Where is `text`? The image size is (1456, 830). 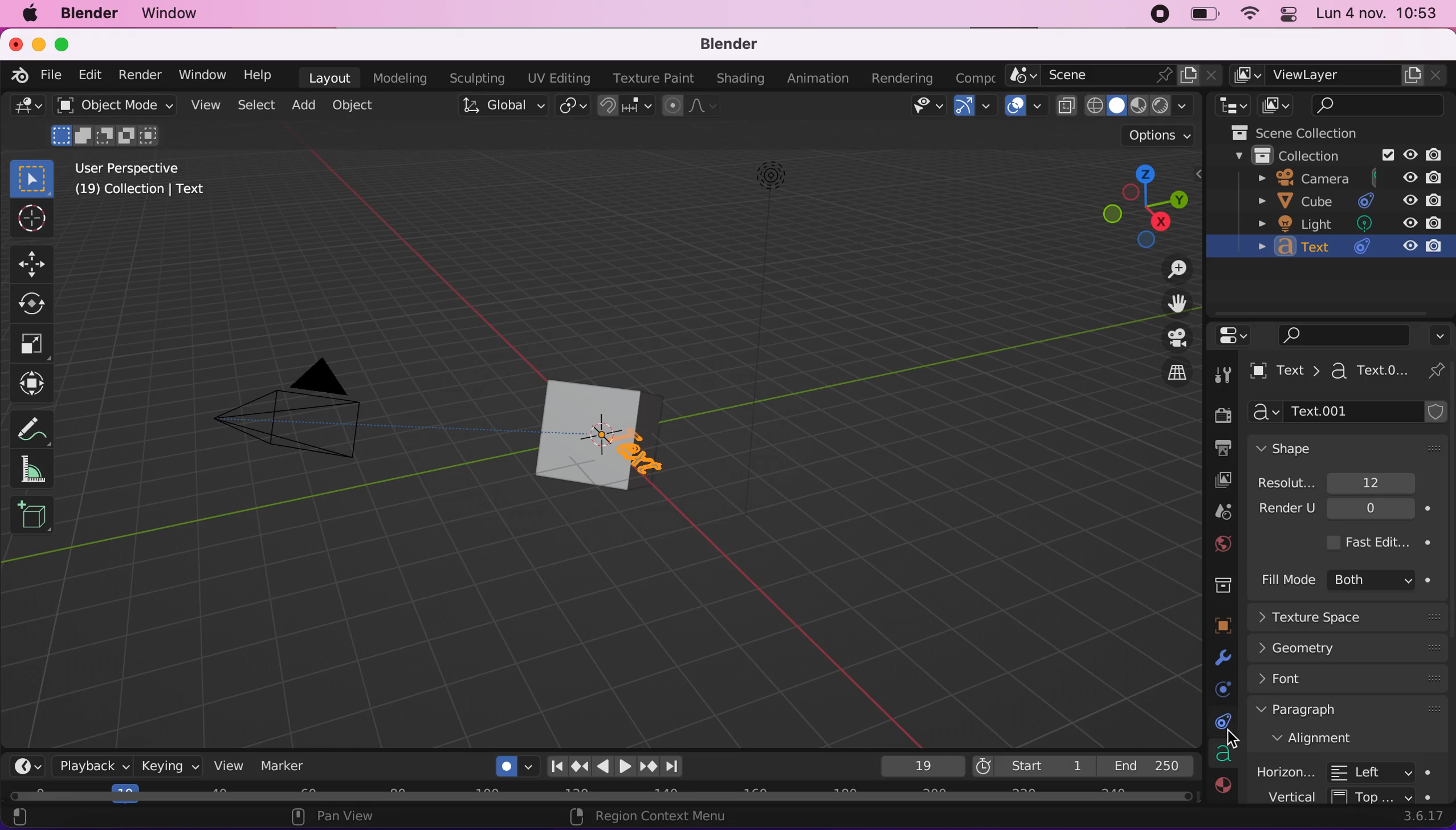
text is located at coordinates (1348, 249).